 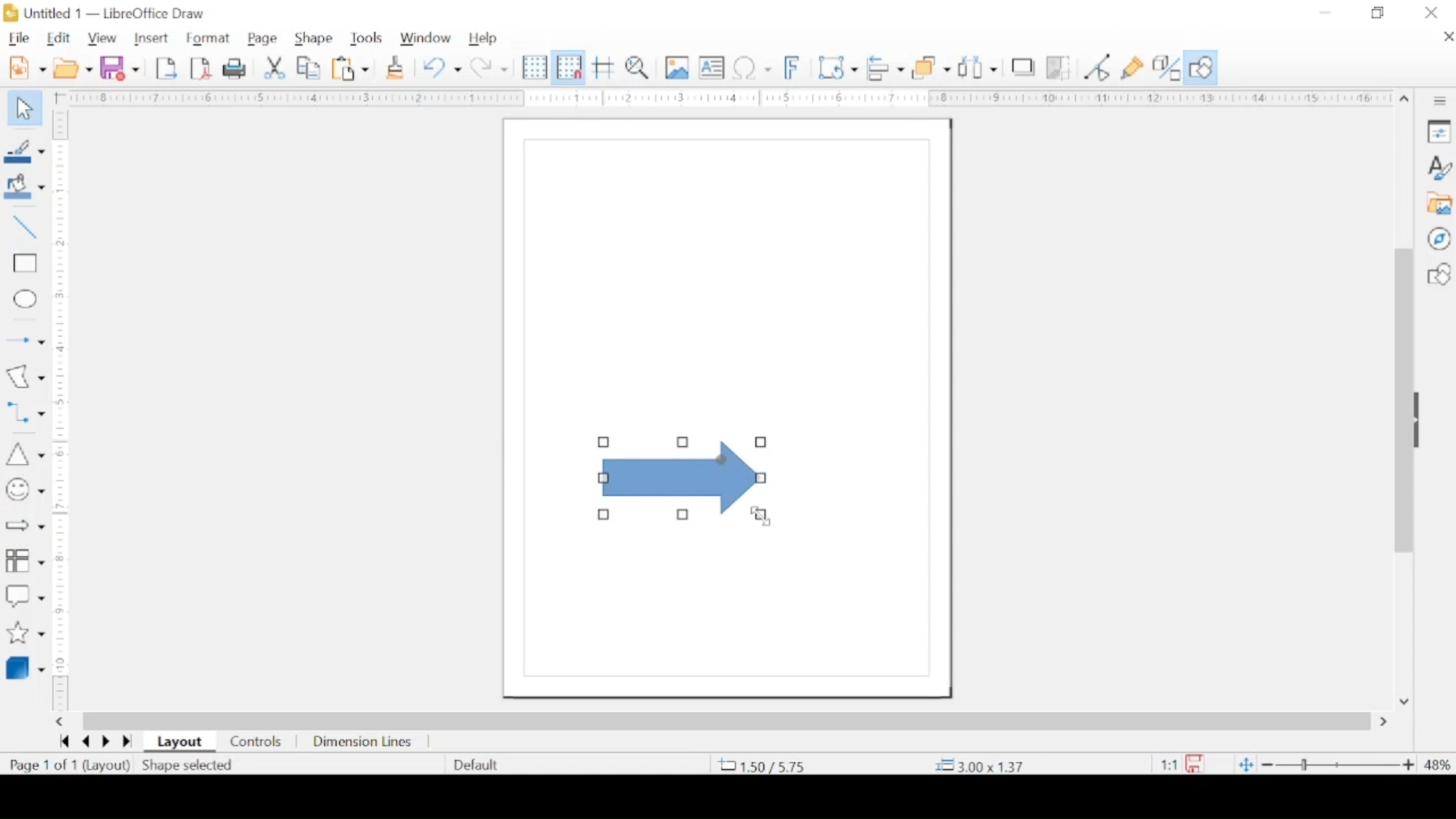 I want to click on display grid, so click(x=534, y=67).